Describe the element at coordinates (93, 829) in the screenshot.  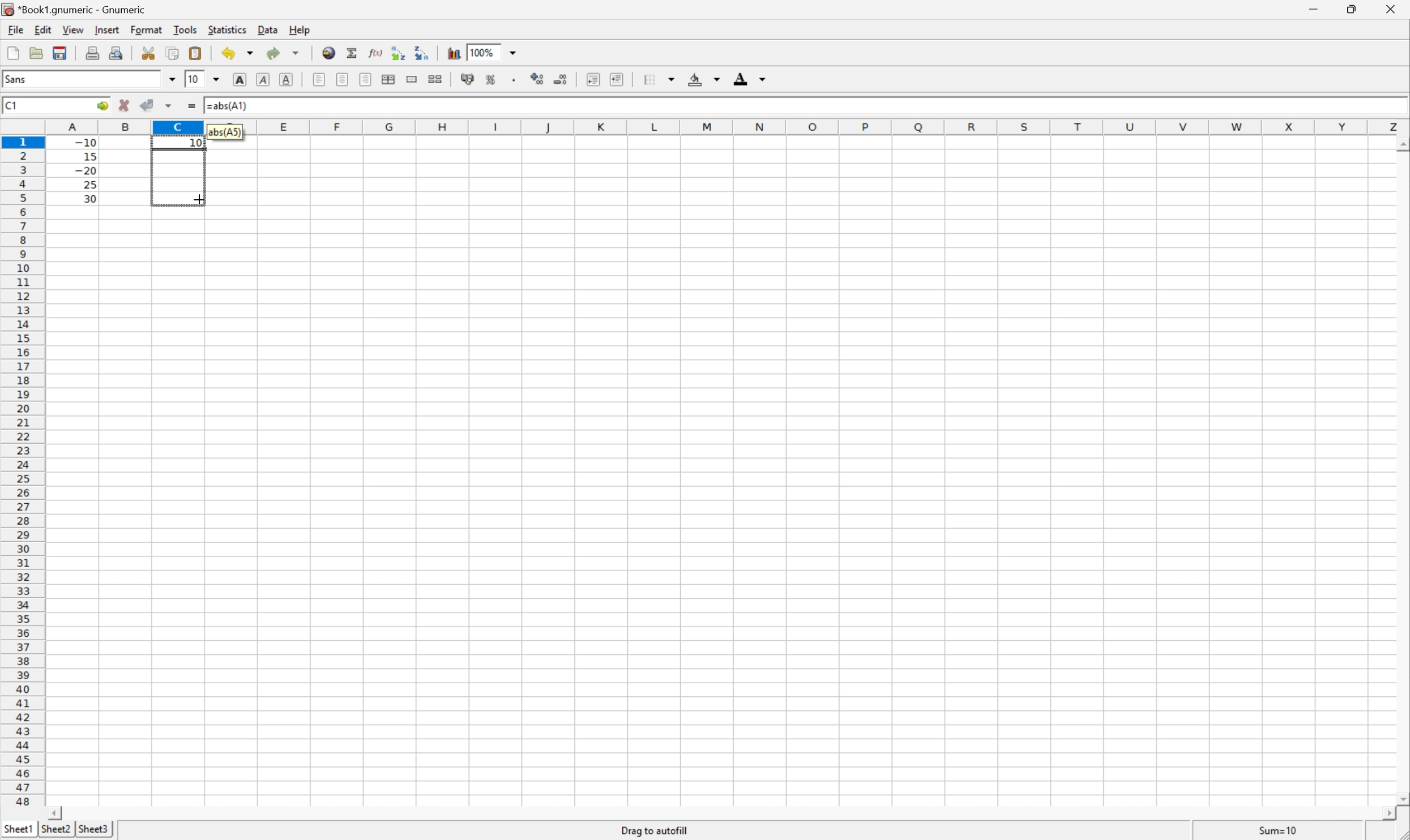
I see `Shee3` at that location.